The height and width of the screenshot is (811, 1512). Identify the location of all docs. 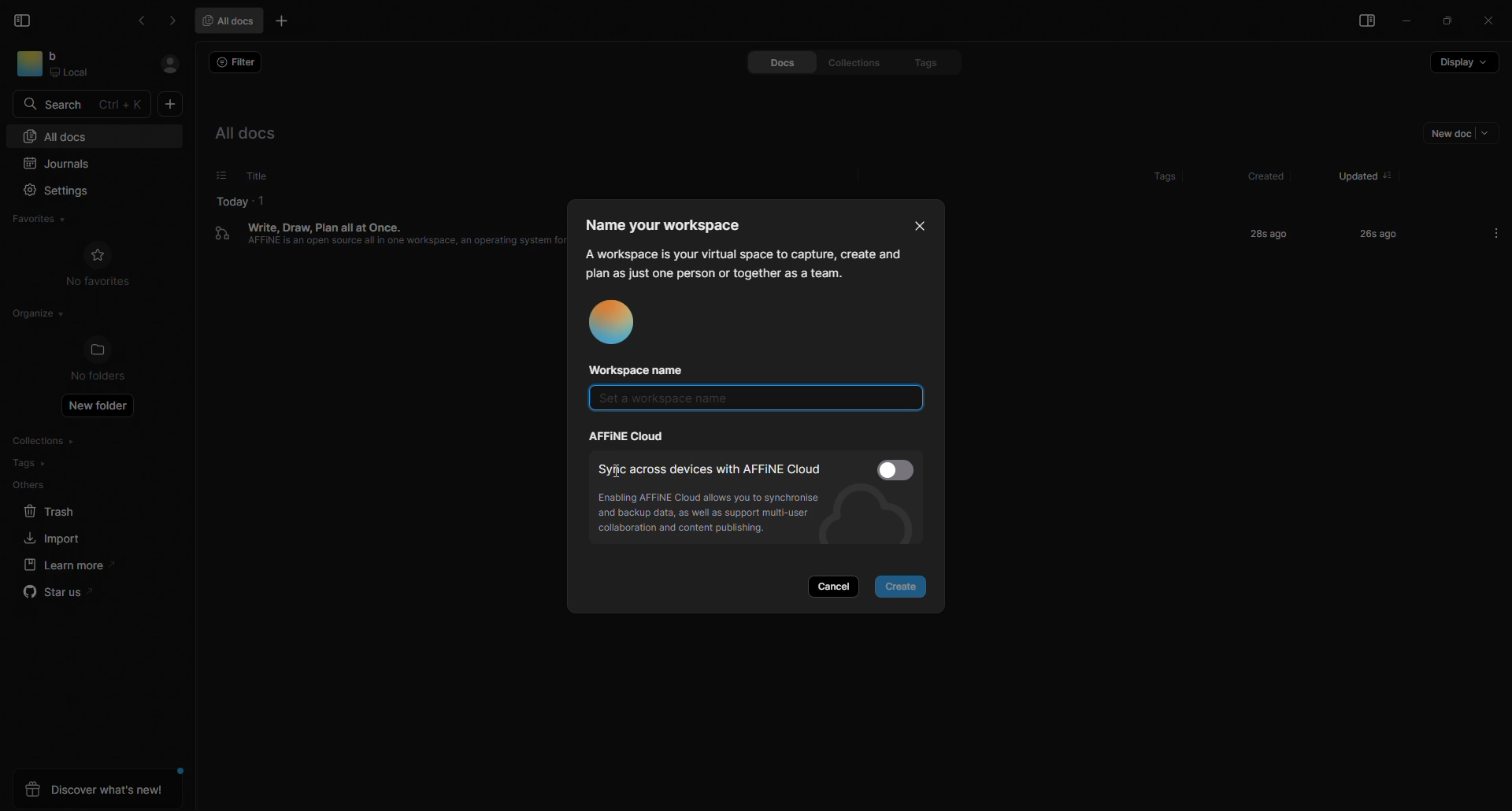
(232, 20).